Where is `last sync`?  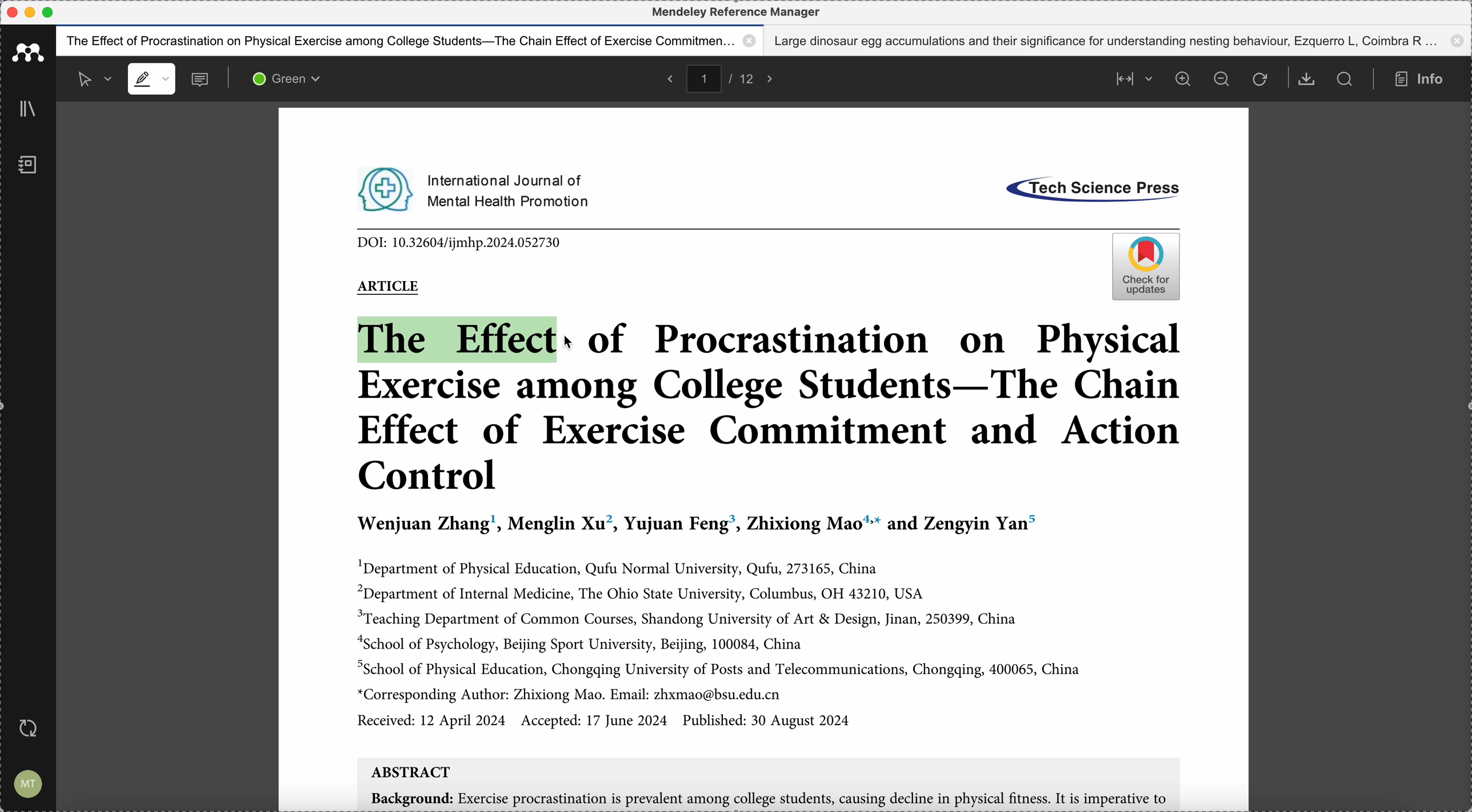
last sync is located at coordinates (33, 727).